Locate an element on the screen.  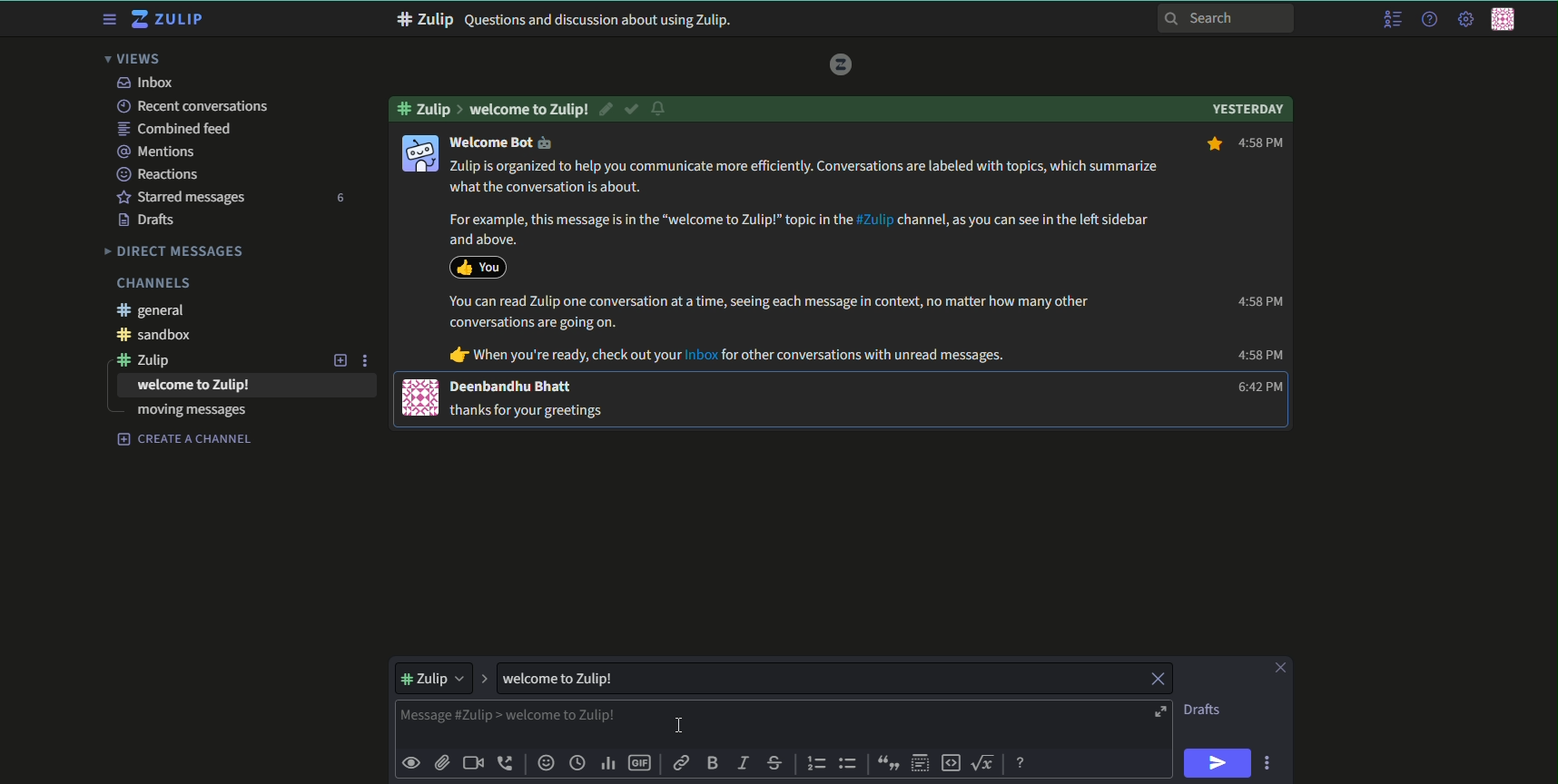
#zulip is located at coordinates (428, 107).